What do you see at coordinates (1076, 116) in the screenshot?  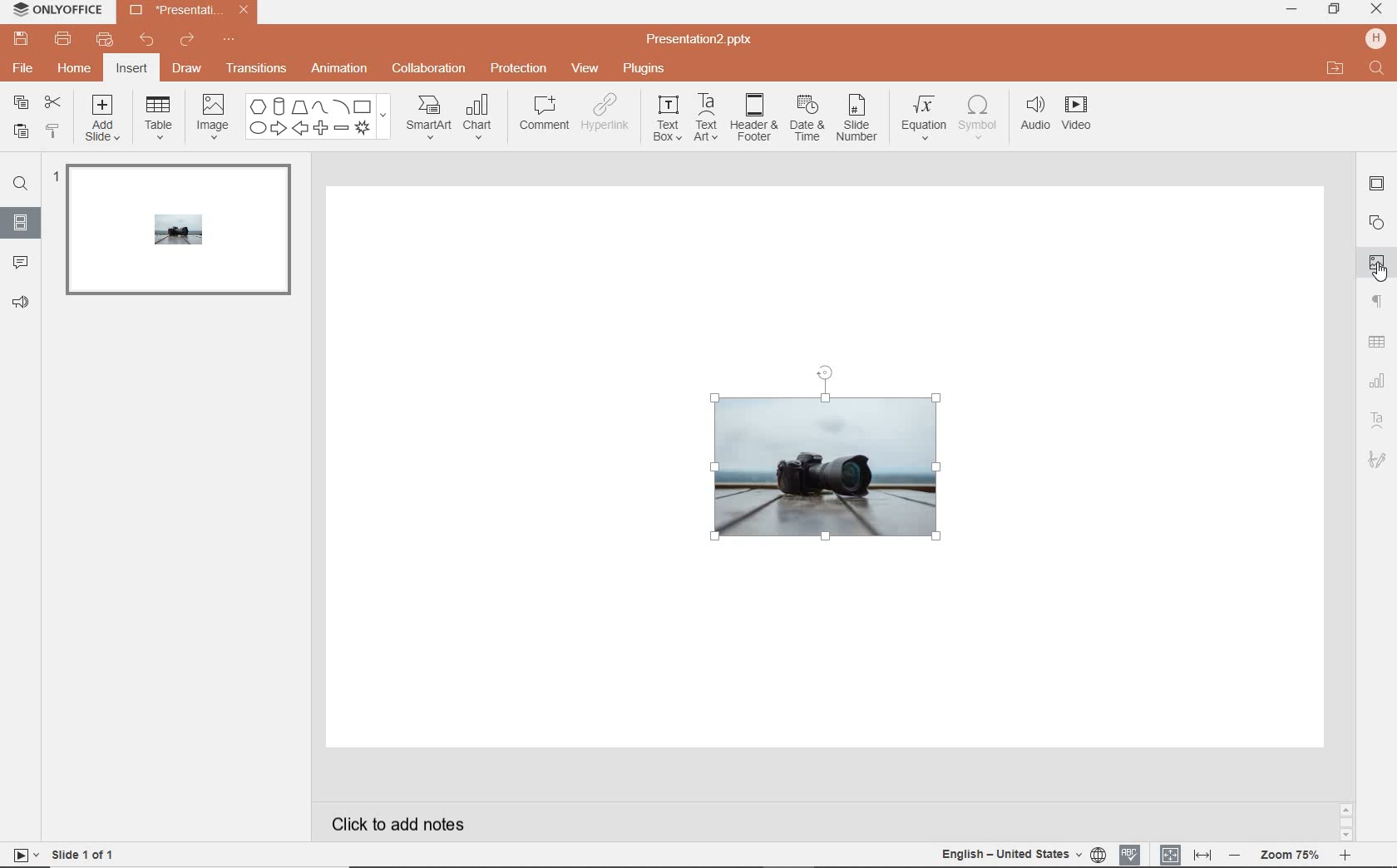 I see `videos` at bounding box center [1076, 116].